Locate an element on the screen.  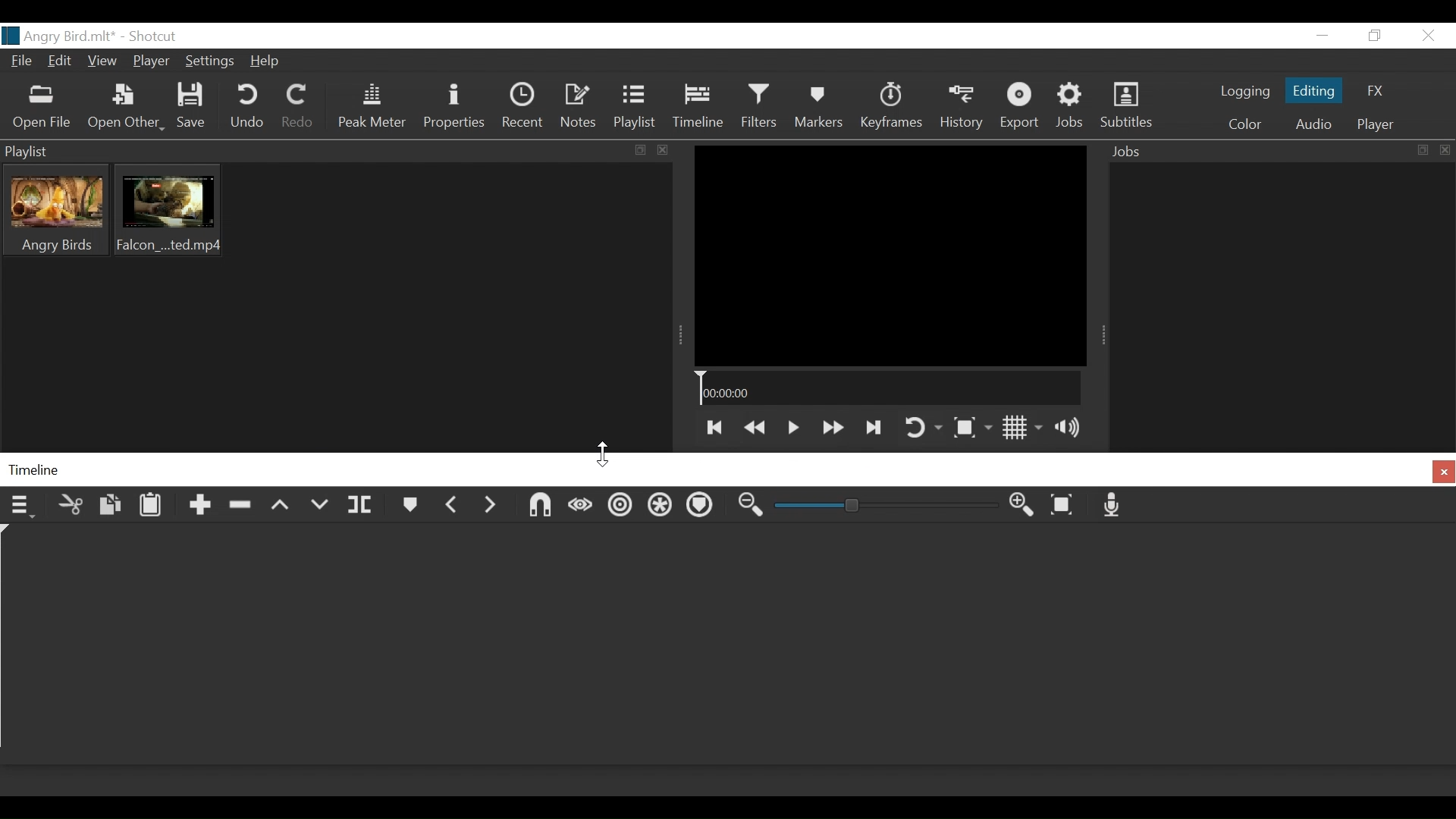
Properties is located at coordinates (453, 107).